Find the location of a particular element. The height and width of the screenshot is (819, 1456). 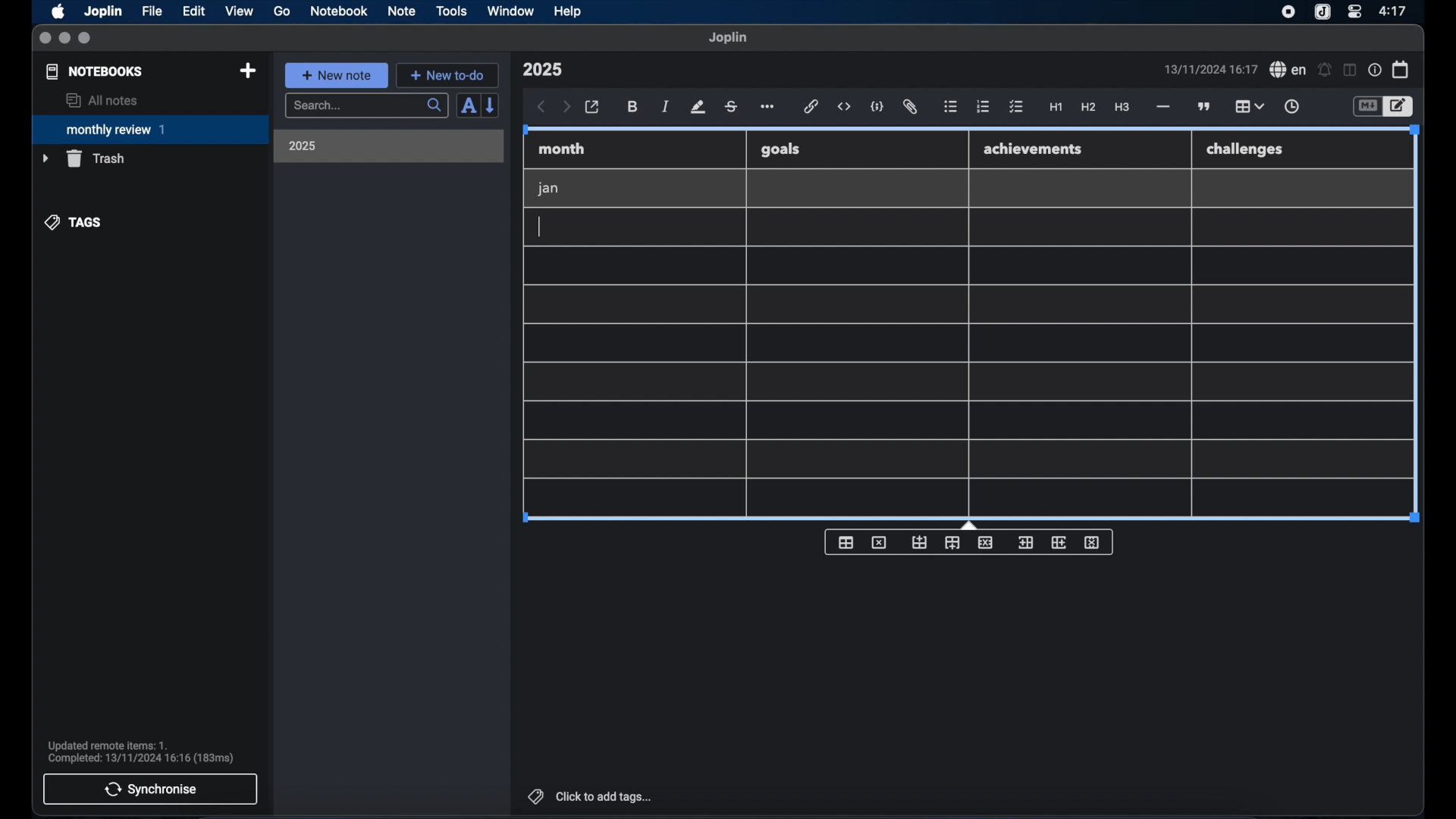

table highlighted is located at coordinates (1247, 106).